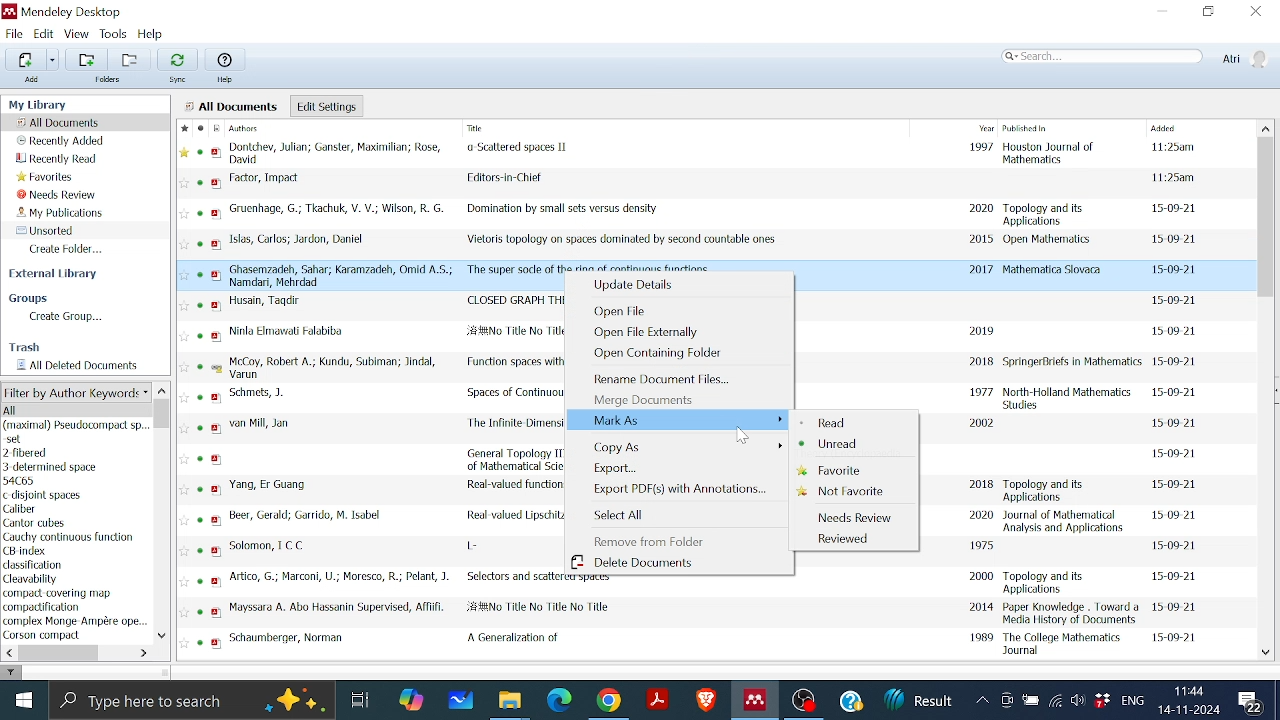 Image resolution: width=1280 pixels, height=720 pixels. Describe the element at coordinates (371, 491) in the screenshot. I see `Real-valued functions and some related spaces` at that location.